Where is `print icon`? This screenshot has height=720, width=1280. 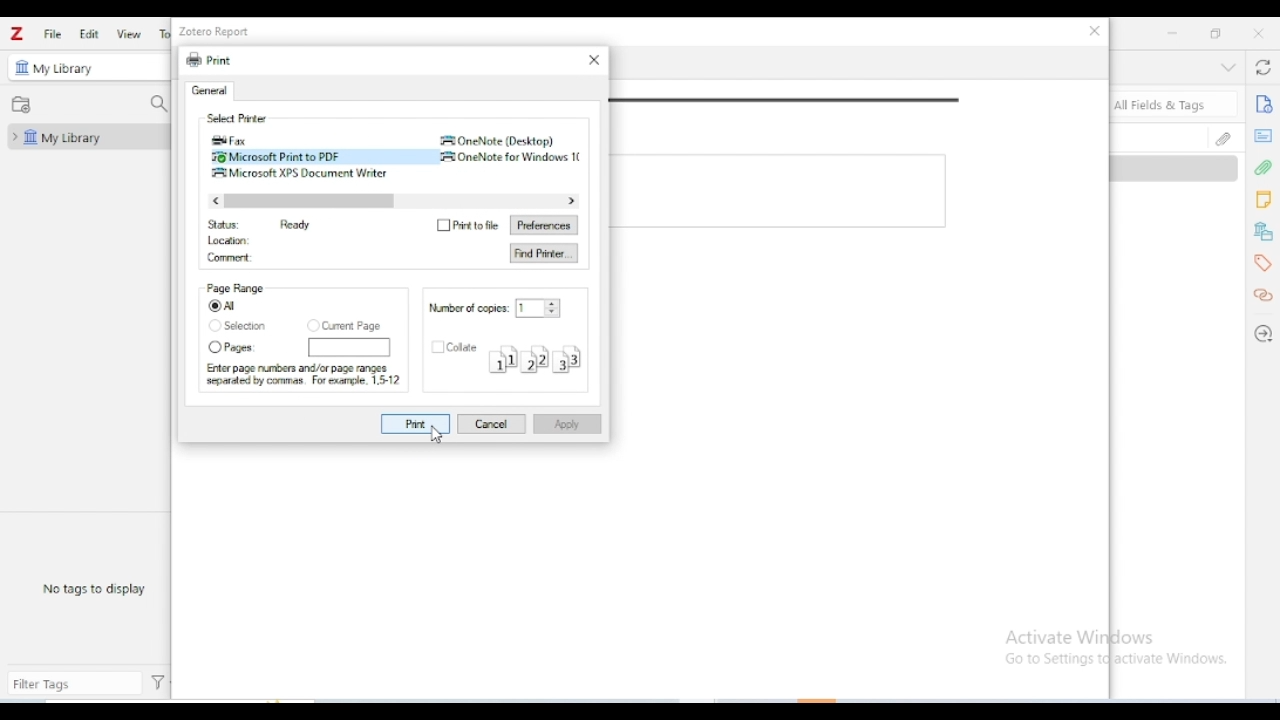 print icon is located at coordinates (194, 60).